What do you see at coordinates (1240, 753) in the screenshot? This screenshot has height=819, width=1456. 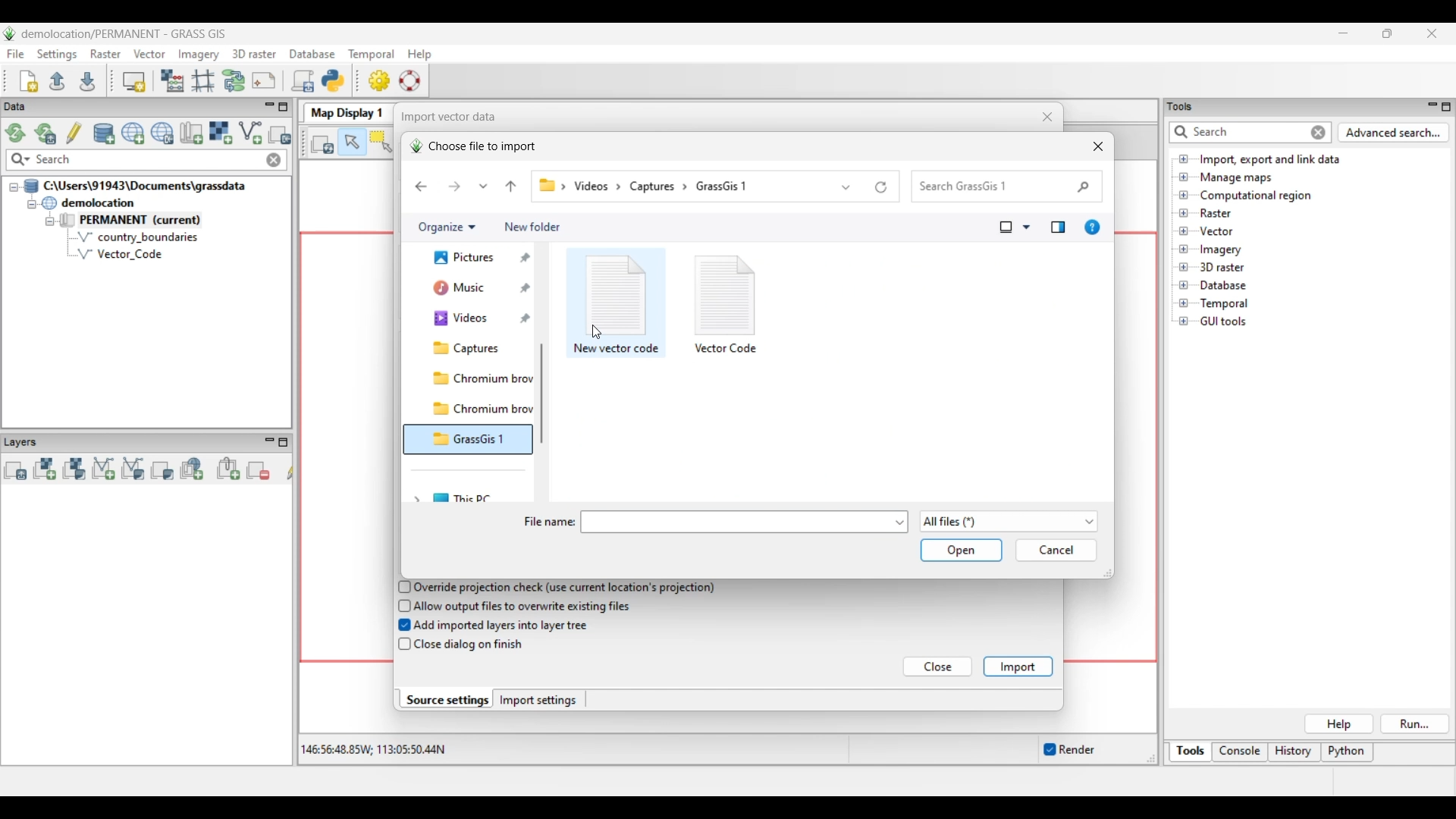 I see `Console` at bounding box center [1240, 753].